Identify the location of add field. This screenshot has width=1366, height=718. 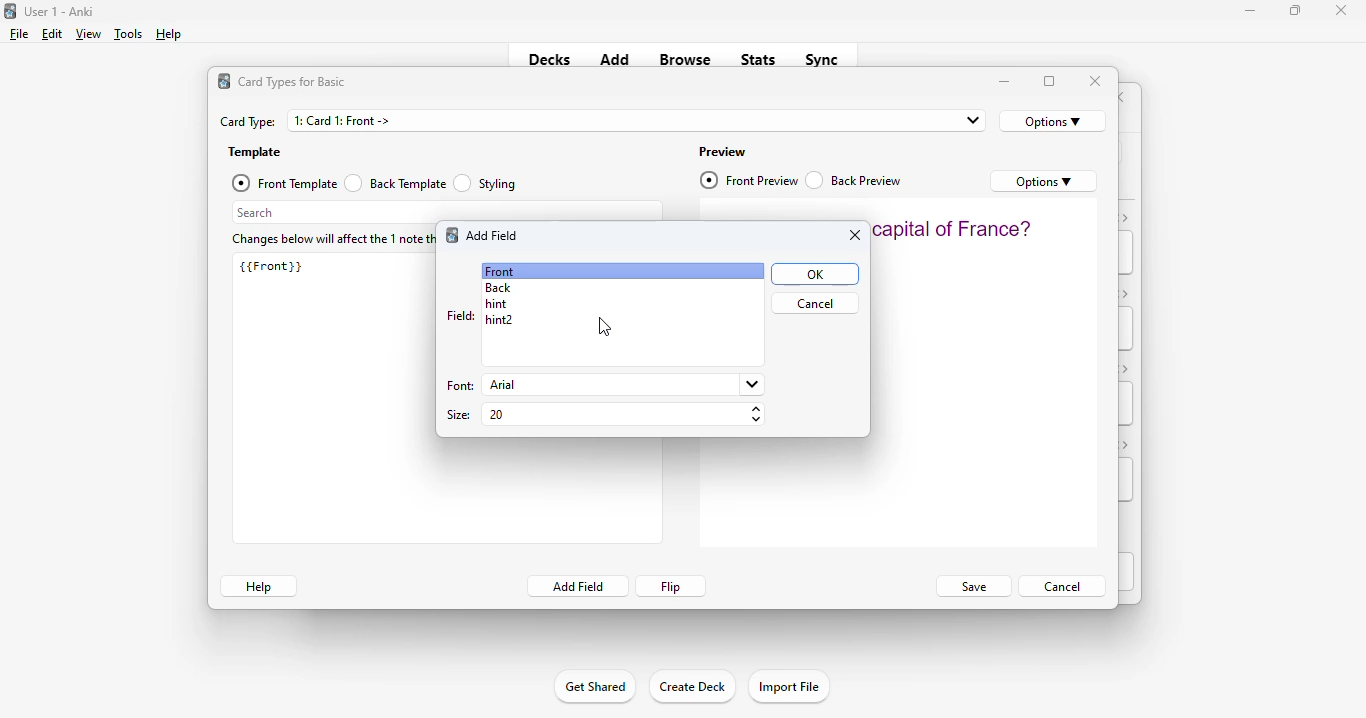
(493, 235).